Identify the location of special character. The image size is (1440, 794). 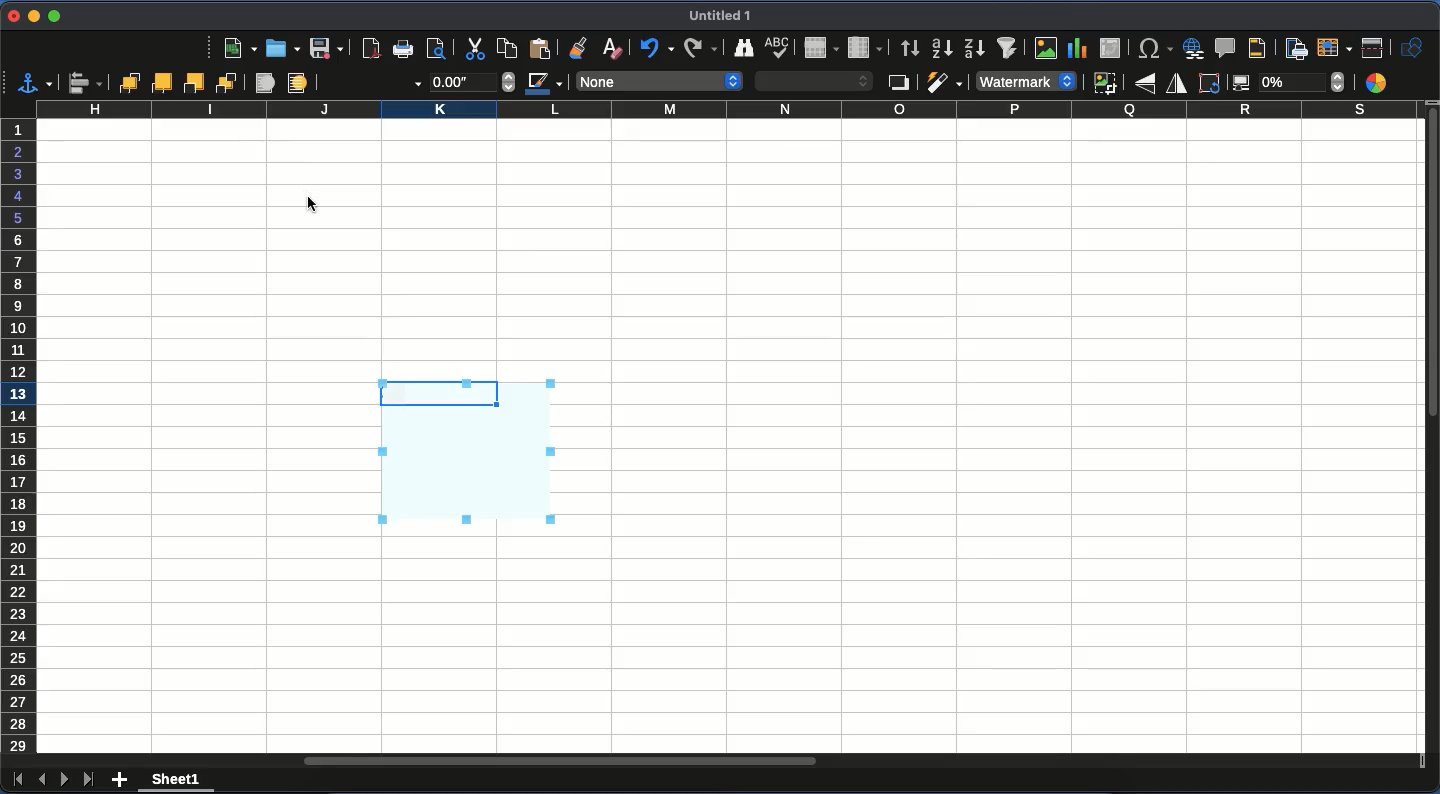
(1151, 48).